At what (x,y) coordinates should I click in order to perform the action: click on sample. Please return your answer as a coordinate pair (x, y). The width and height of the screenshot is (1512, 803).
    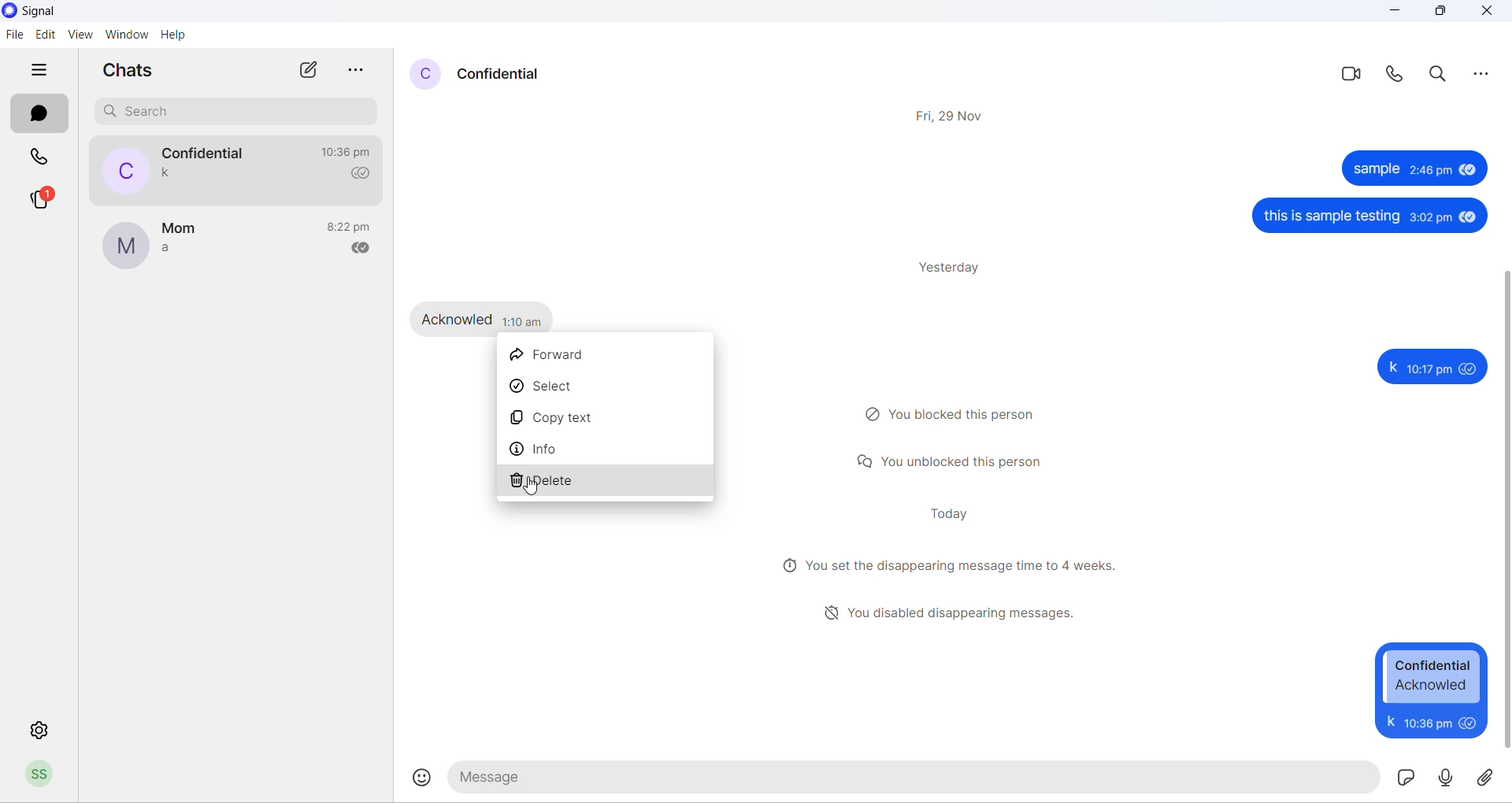
    Looking at the image, I should click on (1373, 172).